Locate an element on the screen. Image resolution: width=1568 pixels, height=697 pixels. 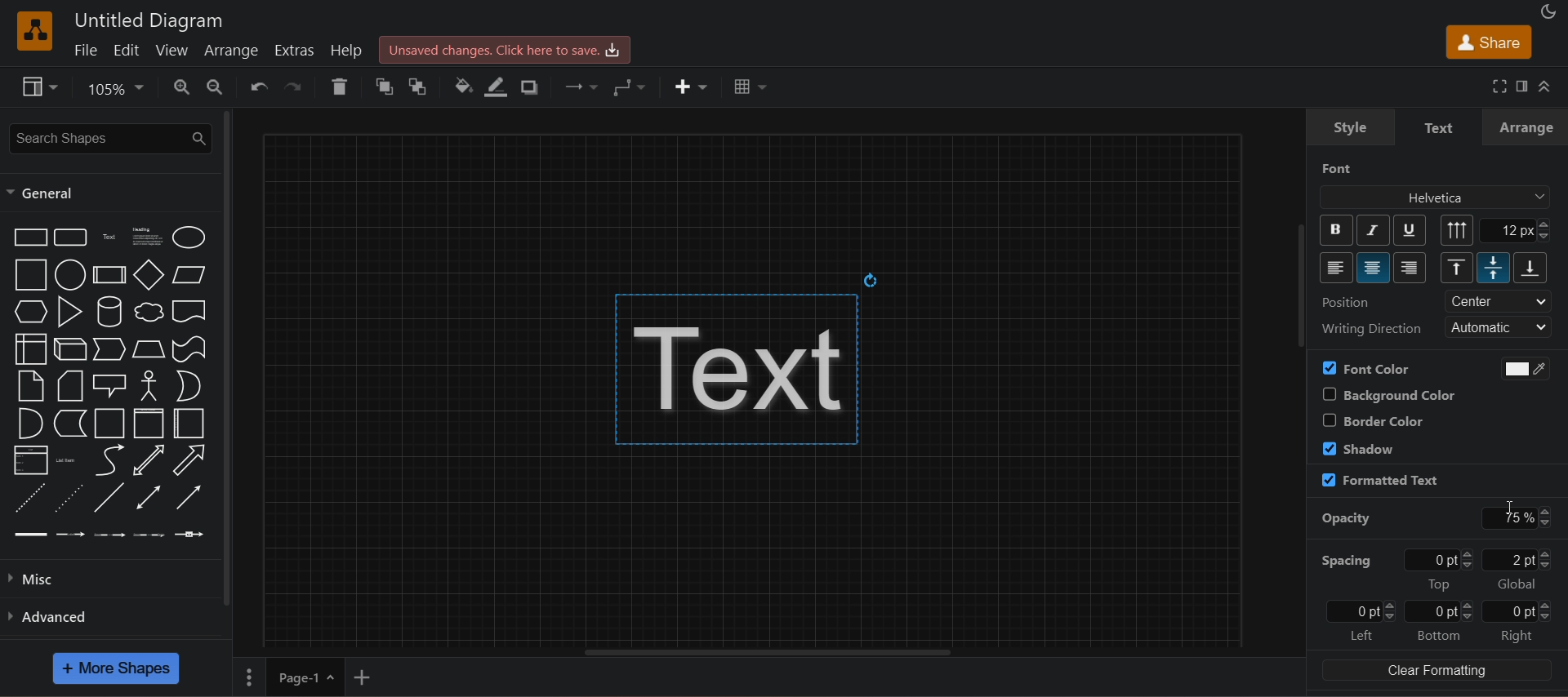
global is located at coordinates (1517, 584).